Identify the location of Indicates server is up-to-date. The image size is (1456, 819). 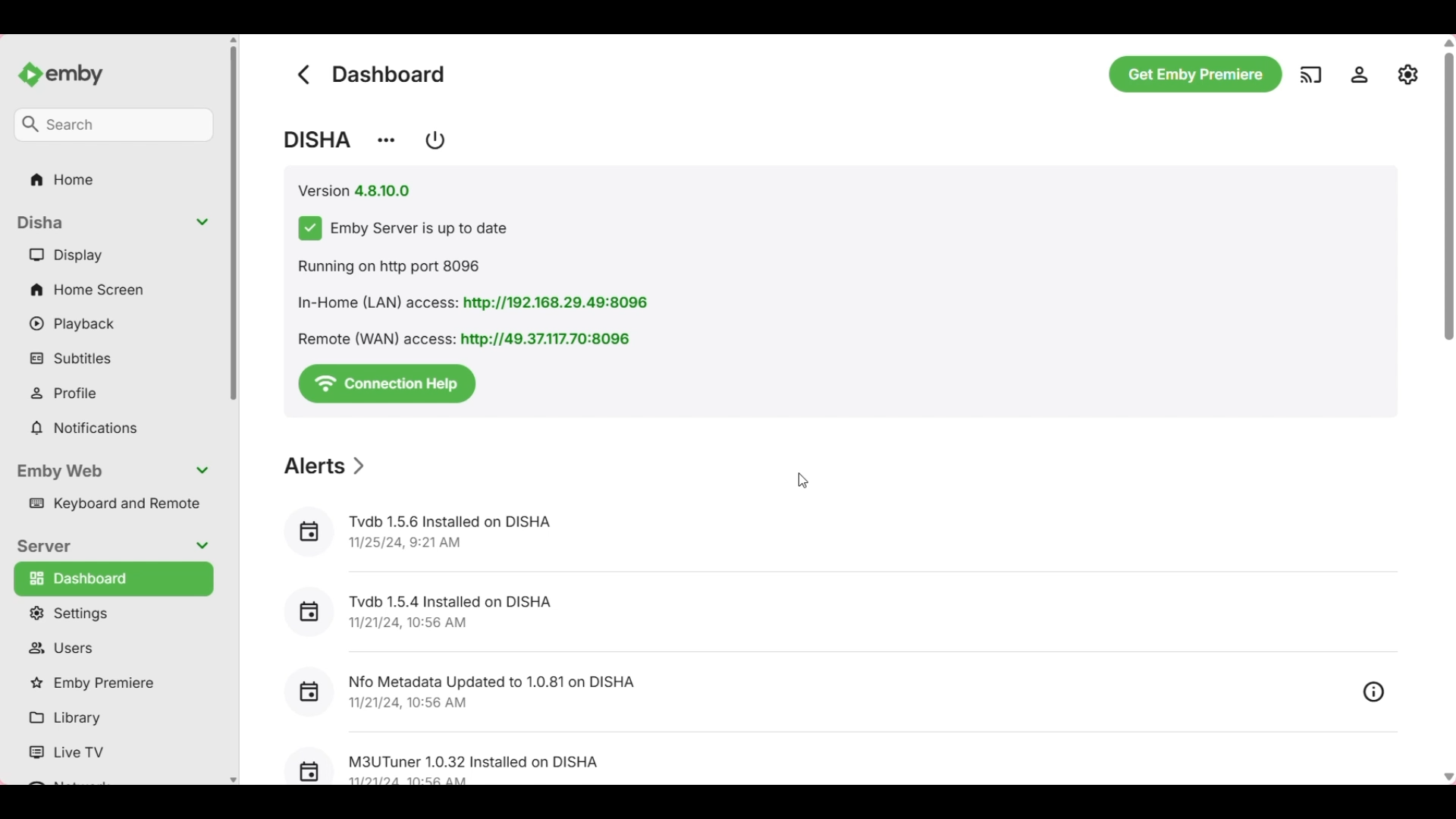
(402, 228).